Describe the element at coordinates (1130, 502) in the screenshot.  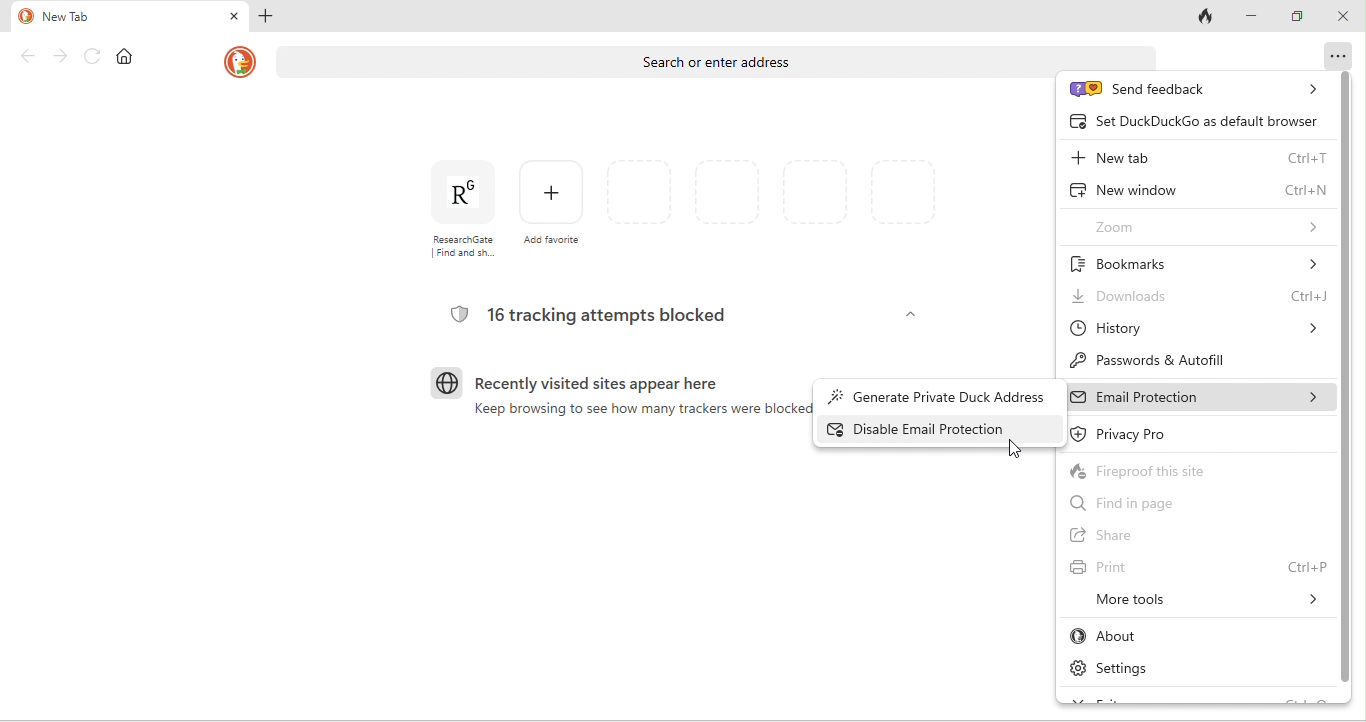
I see `find in page` at that location.